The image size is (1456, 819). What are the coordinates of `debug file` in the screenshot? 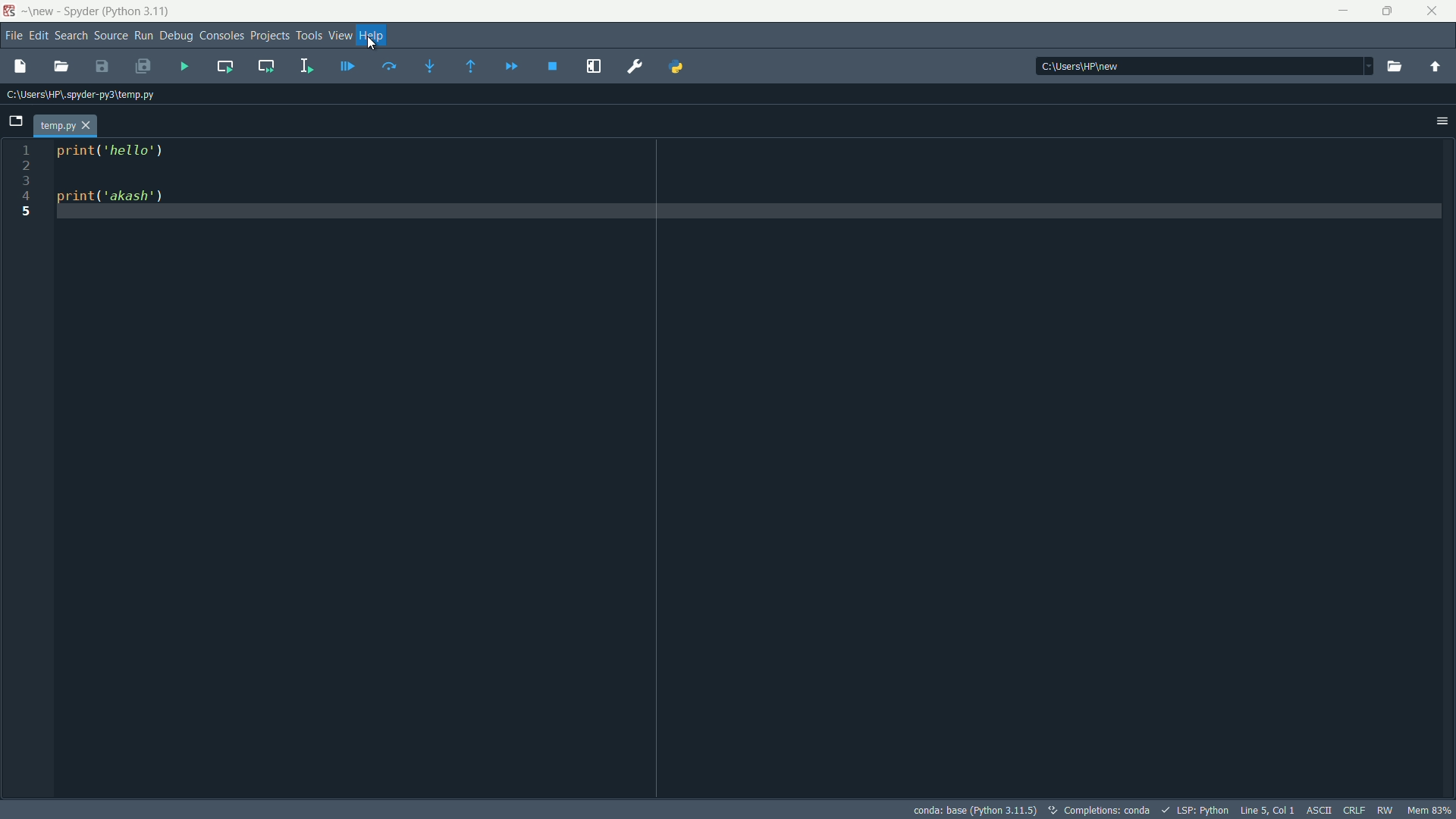 It's located at (349, 66).